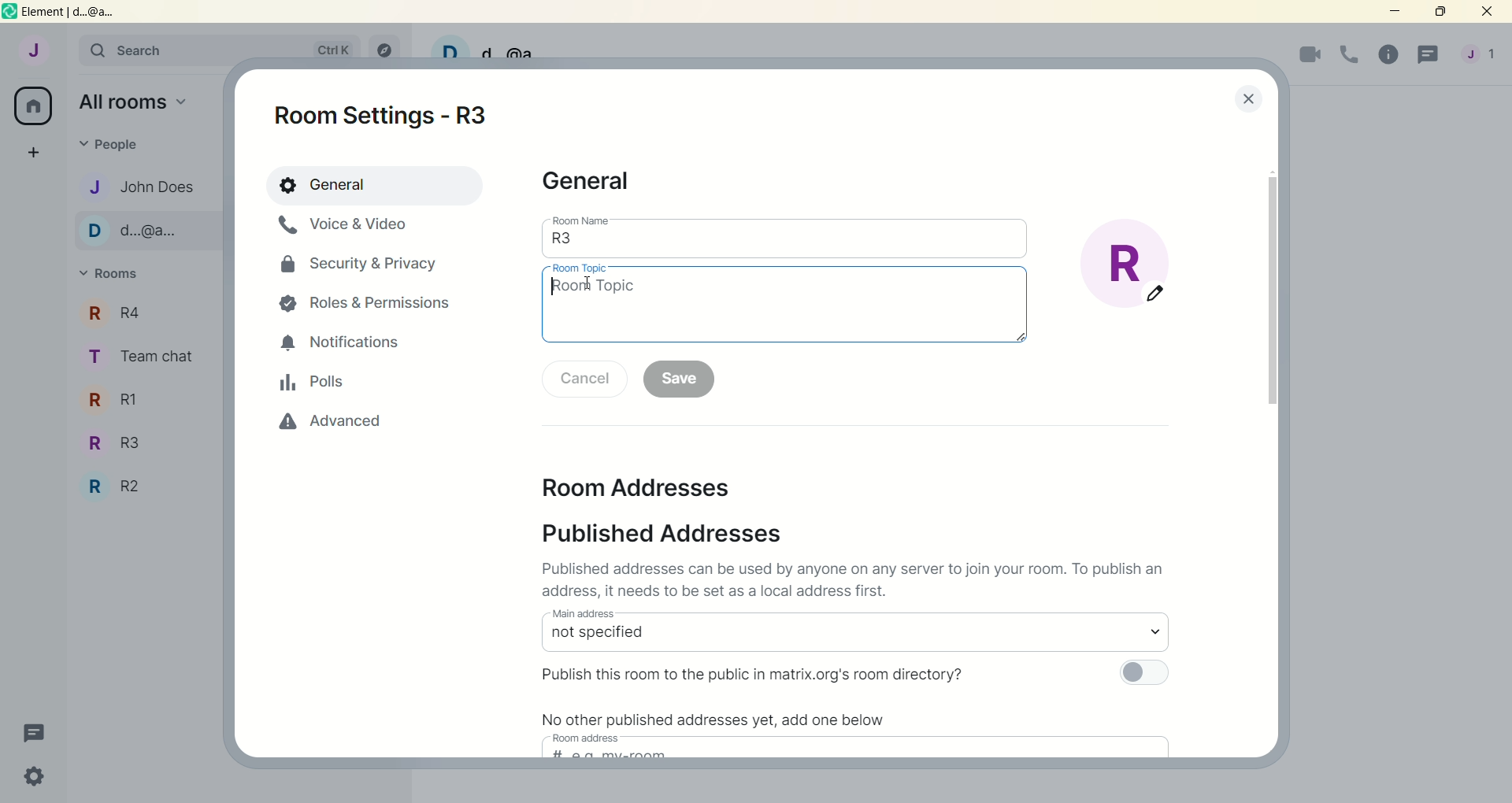 The image size is (1512, 803). I want to click on main address, so click(581, 614).